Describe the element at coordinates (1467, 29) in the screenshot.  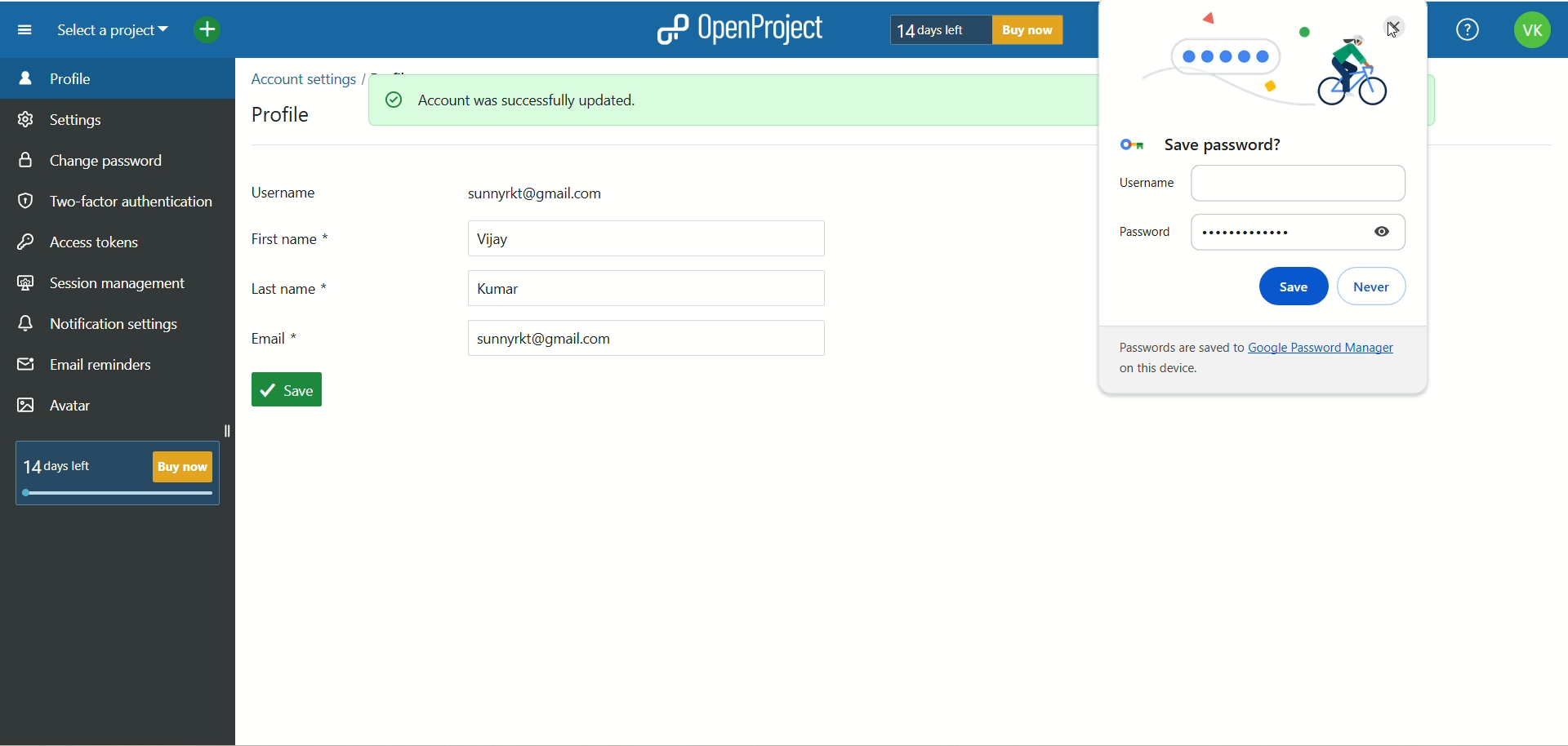
I see `help` at that location.